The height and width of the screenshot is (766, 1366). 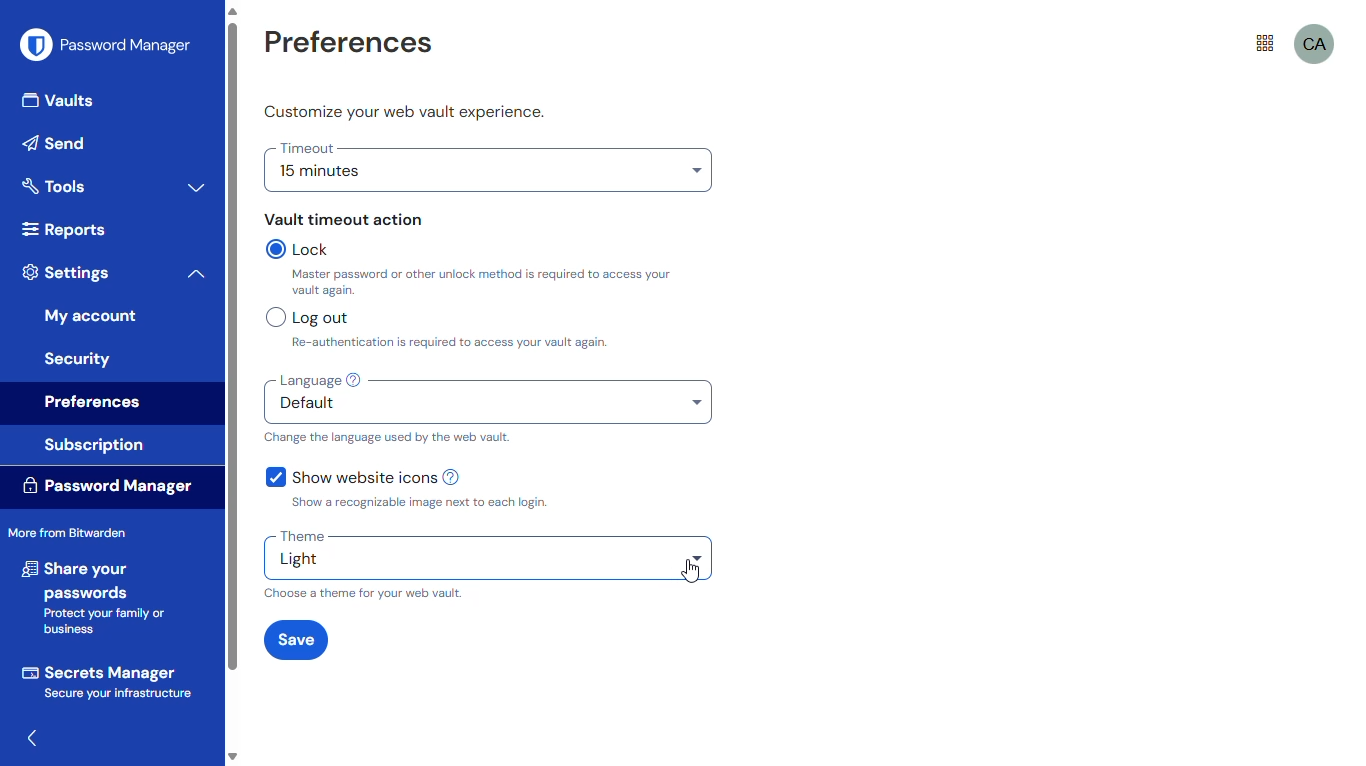 I want to click on customize your web vault experience., so click(x=405, y=112).